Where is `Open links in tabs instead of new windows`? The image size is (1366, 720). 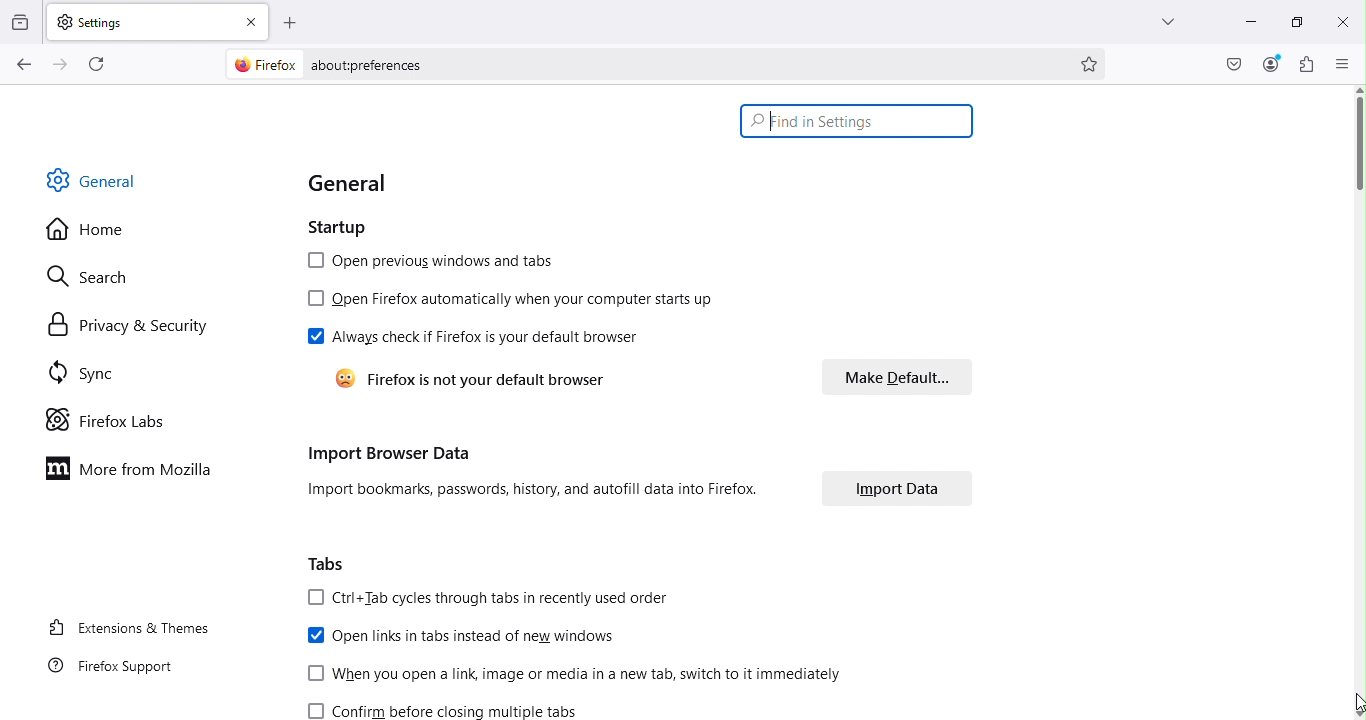 Open links in tabs instead of new windows is located at coordinates (481, 640).